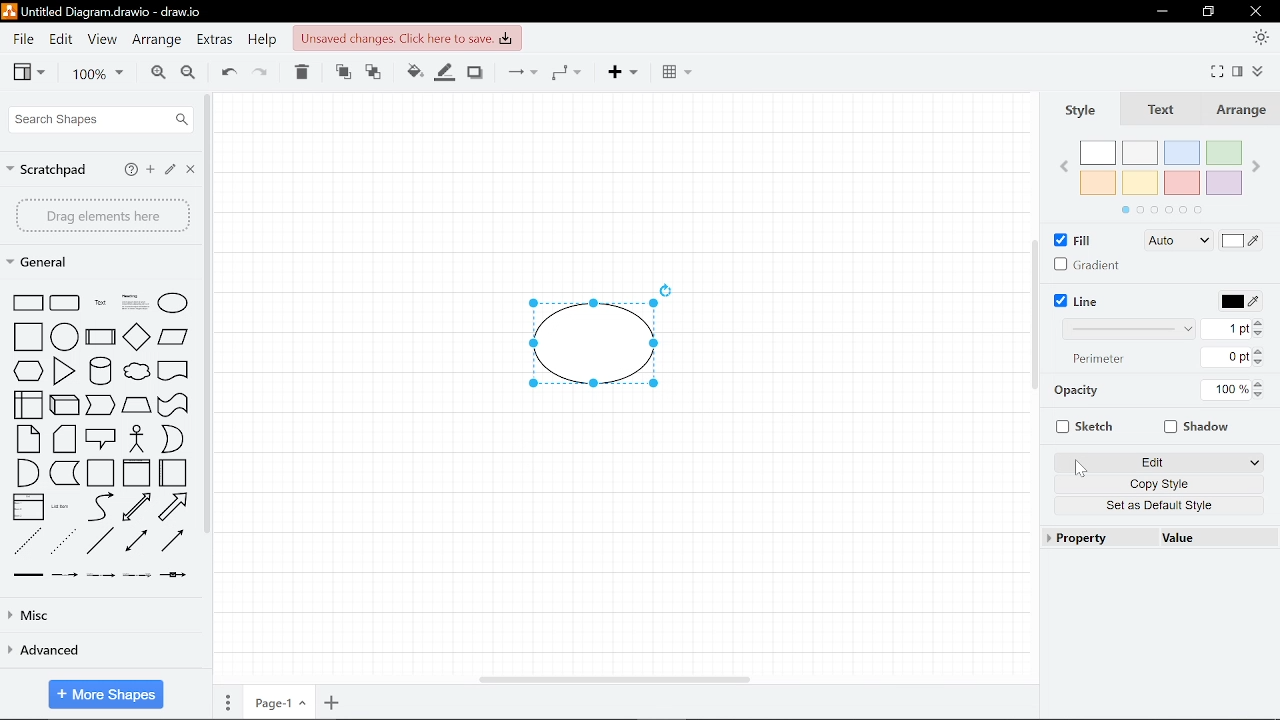 The height and width of the screenshot is (720, 1280). Describe the element at coordinates (1259, 384) in the screenshot. I see `Increase opacity` at that location.